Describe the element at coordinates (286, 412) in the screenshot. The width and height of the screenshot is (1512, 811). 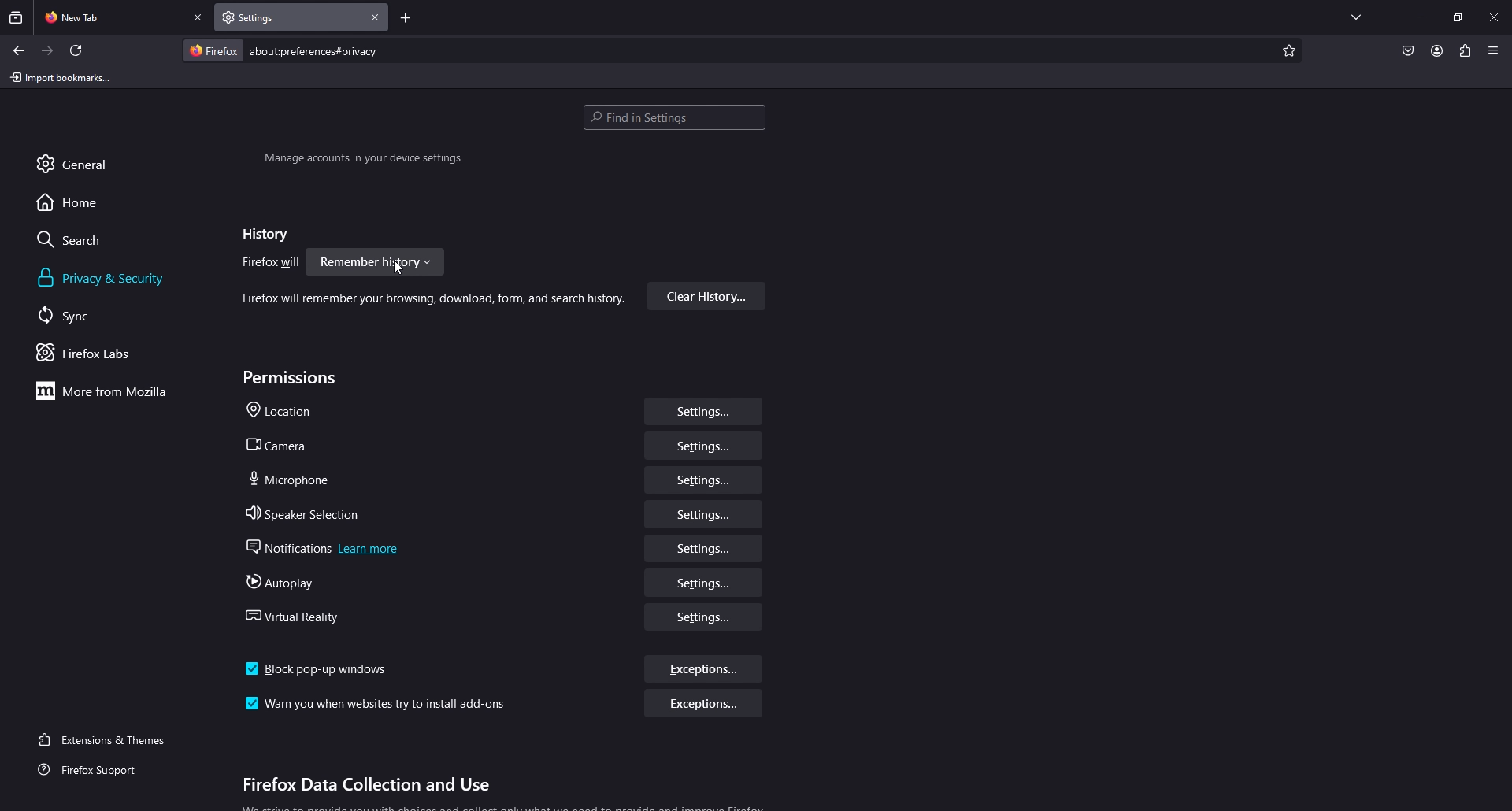
I see `location` at that location.